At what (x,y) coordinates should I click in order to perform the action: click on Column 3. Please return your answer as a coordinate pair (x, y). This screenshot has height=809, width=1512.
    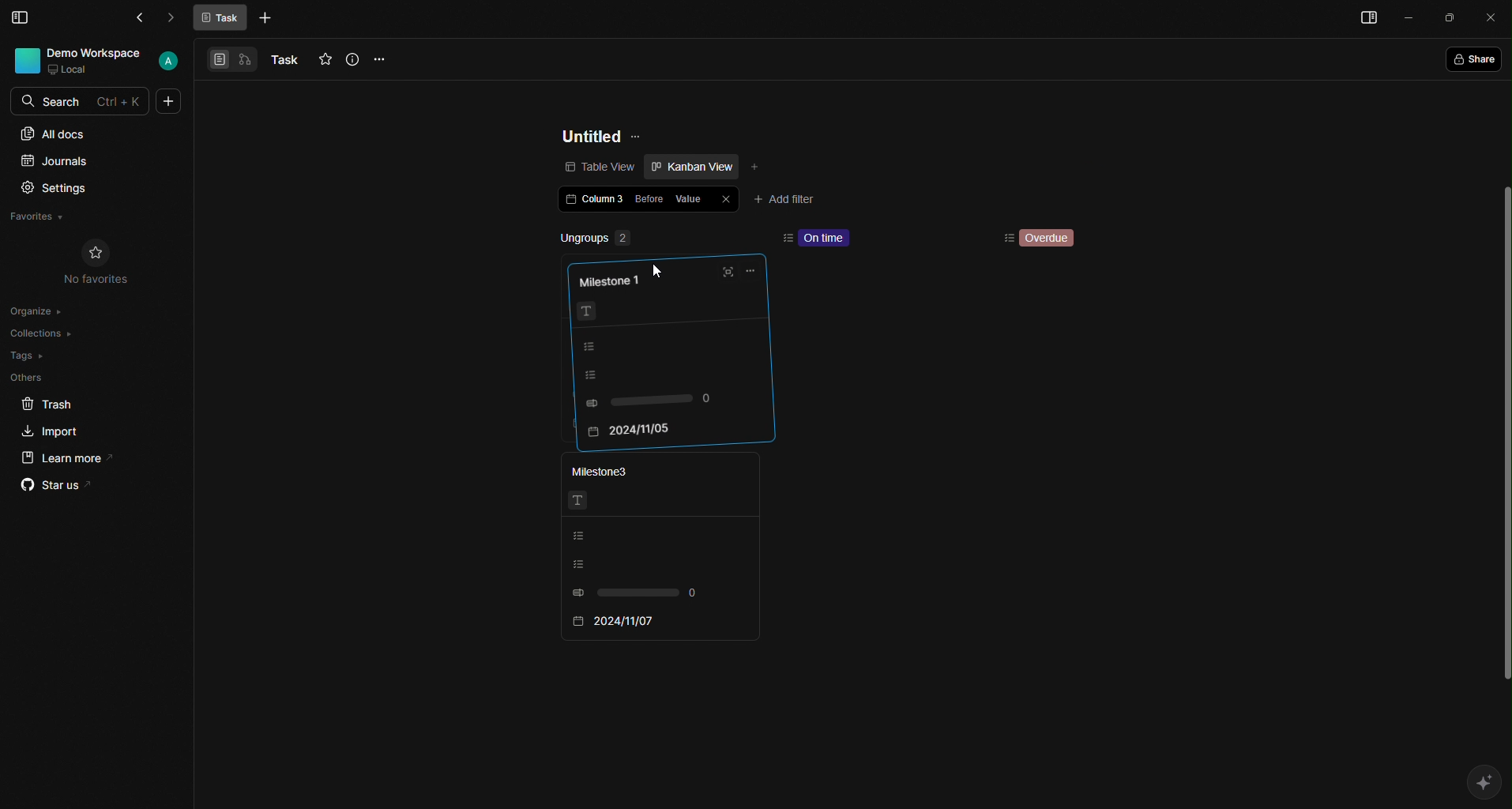
    Looking at the image, I should click on (592, 201).